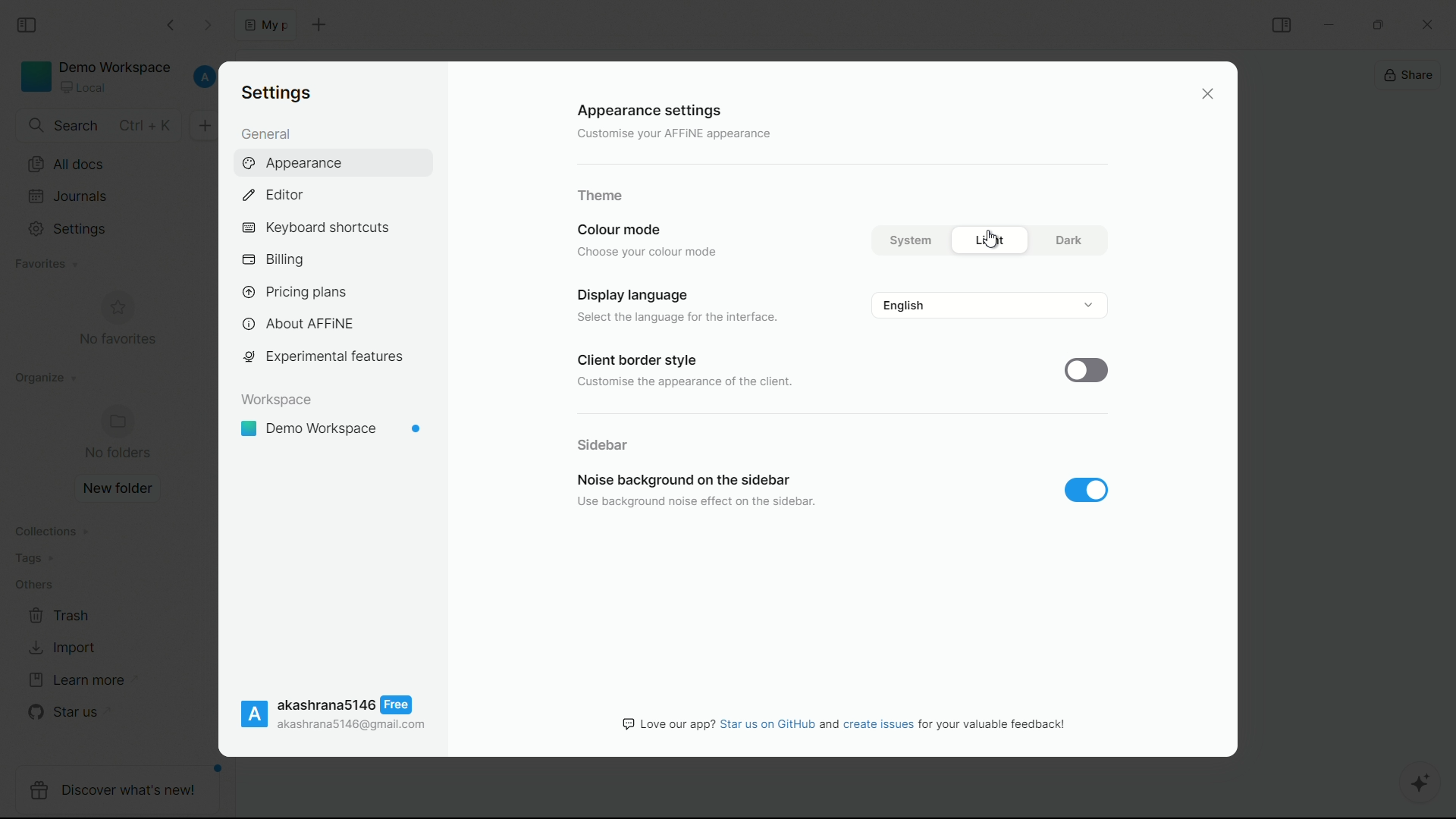 The height and width of the screenshot is (819, 1456). Describe the element at coordinates (70, 229) in the screenshot. I see `settings` at that location.